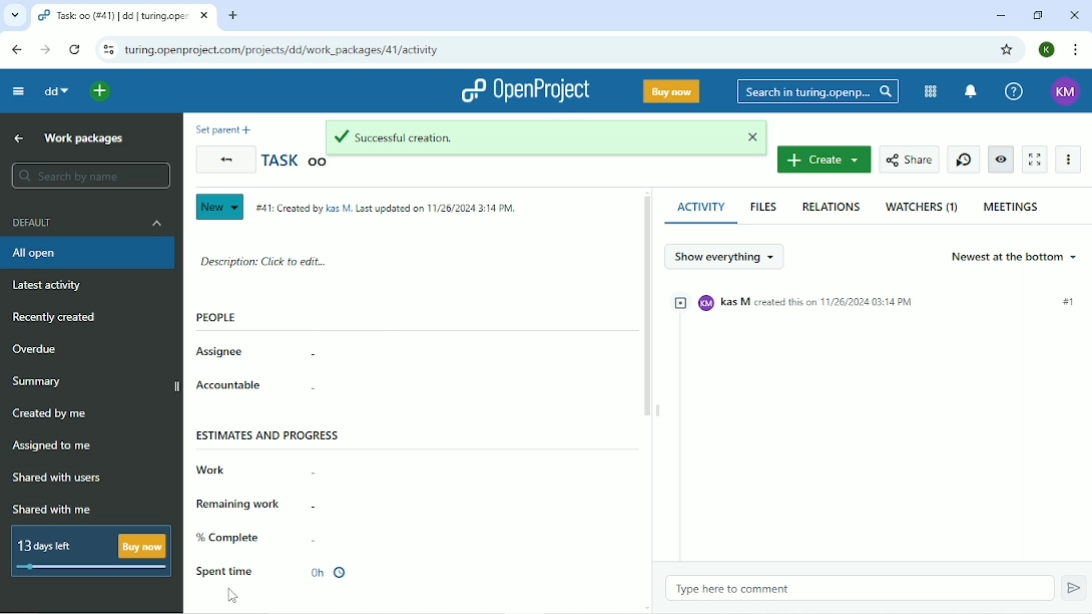 This screenshot has height=614, width=1092. I want to click on Estimates and progress, so click(268, 436).